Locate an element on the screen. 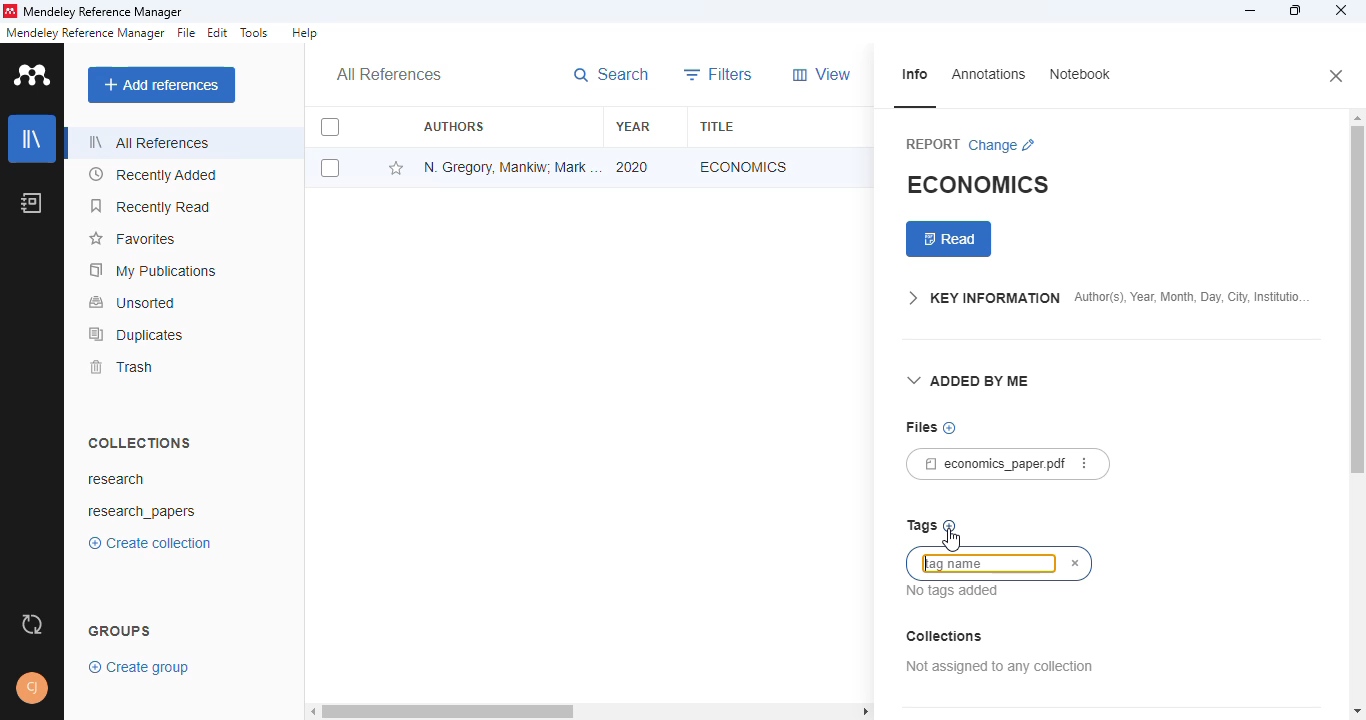 The width and height of the screenshot is (1366, 720). year is located at coordinates (633, 126).